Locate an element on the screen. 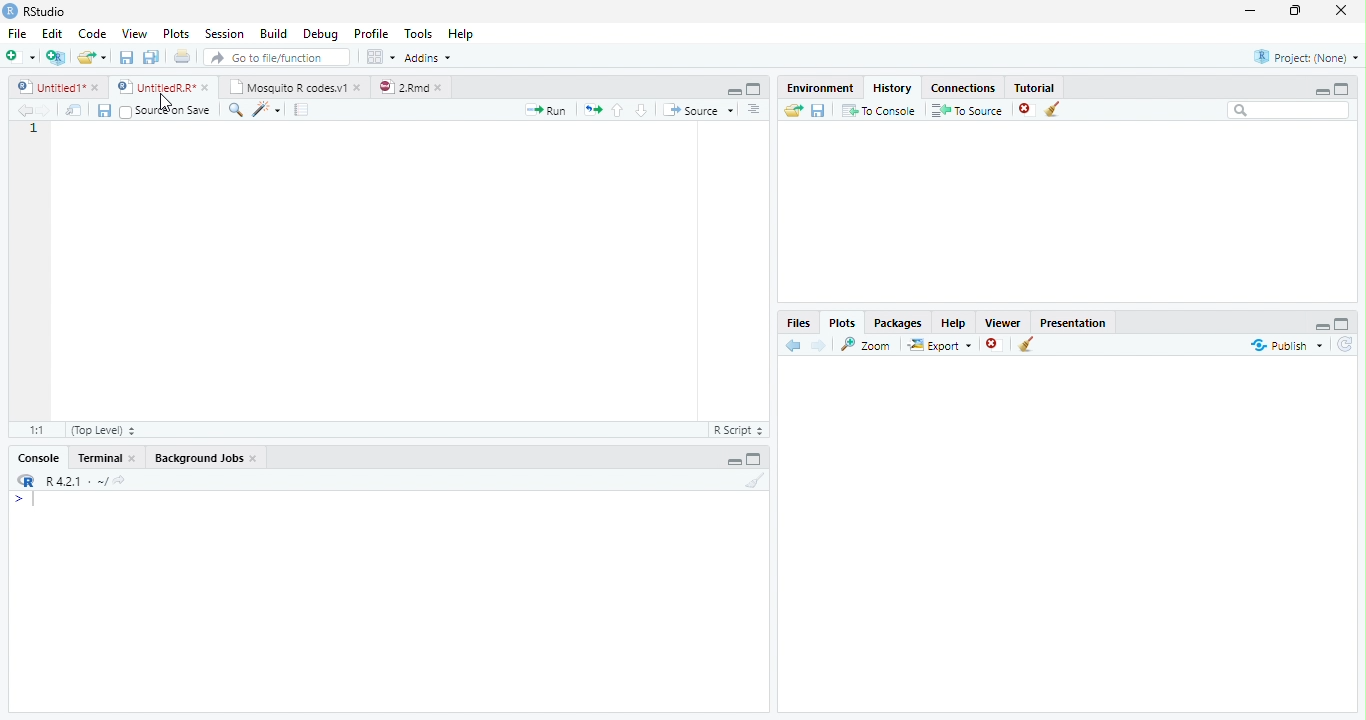 The height and width of the screenshot is (720, 1366). Console is located at coordinates (38, 457).